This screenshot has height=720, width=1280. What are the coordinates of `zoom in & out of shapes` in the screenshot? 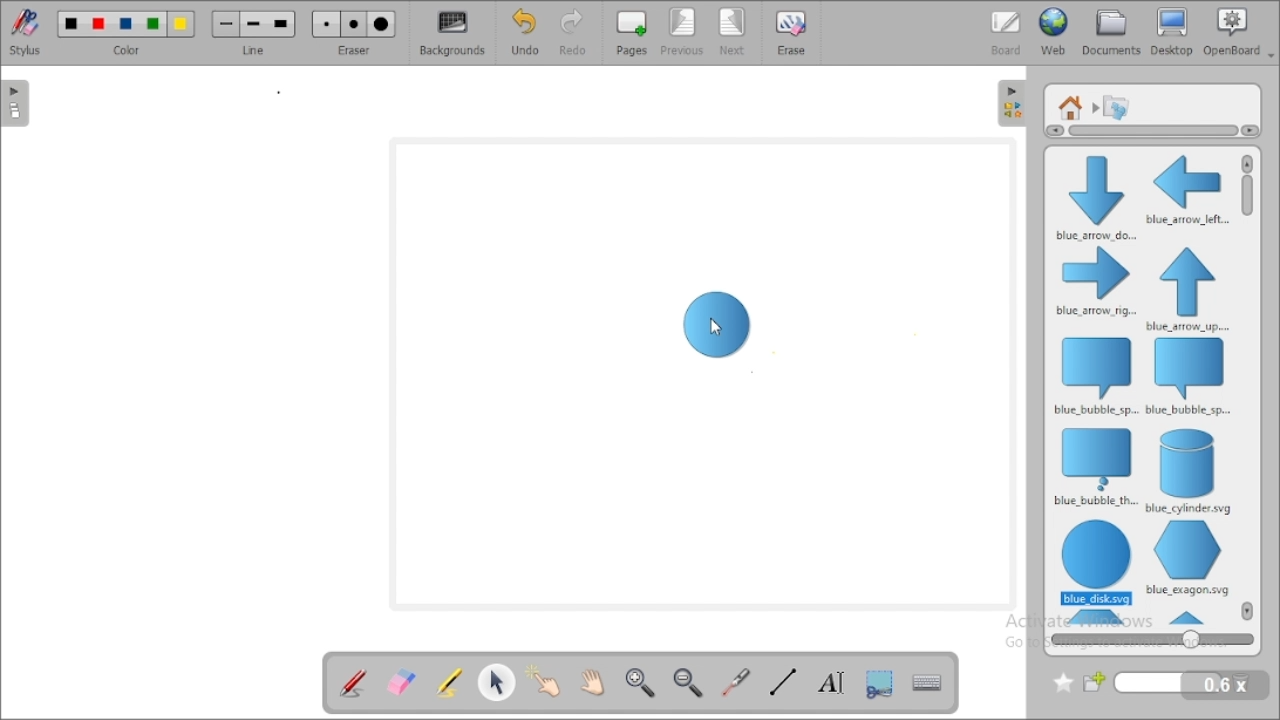 It's located at (1152, 639).